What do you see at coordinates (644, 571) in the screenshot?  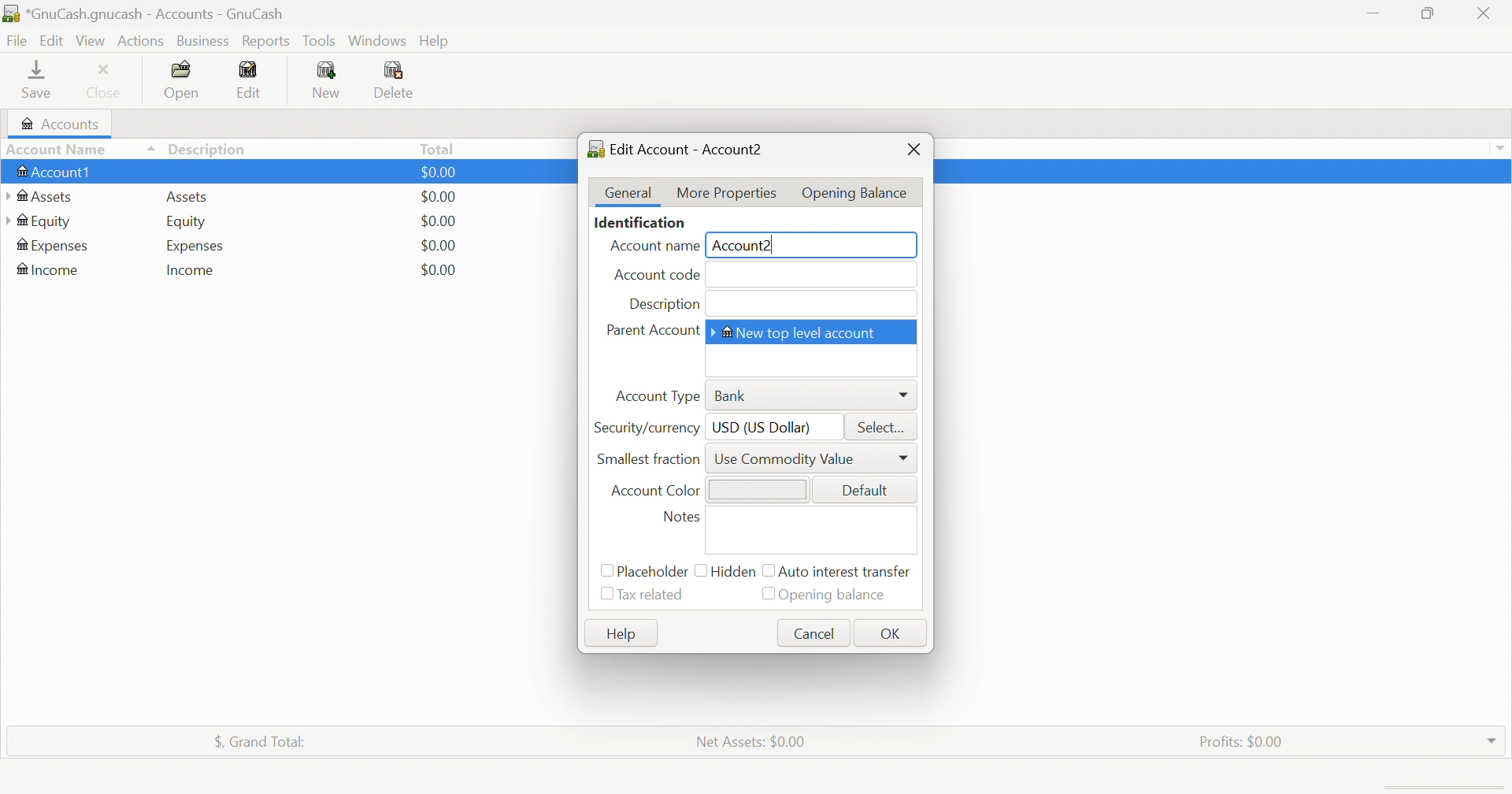 I see `Placeholder` at bounding box center [644, 571].